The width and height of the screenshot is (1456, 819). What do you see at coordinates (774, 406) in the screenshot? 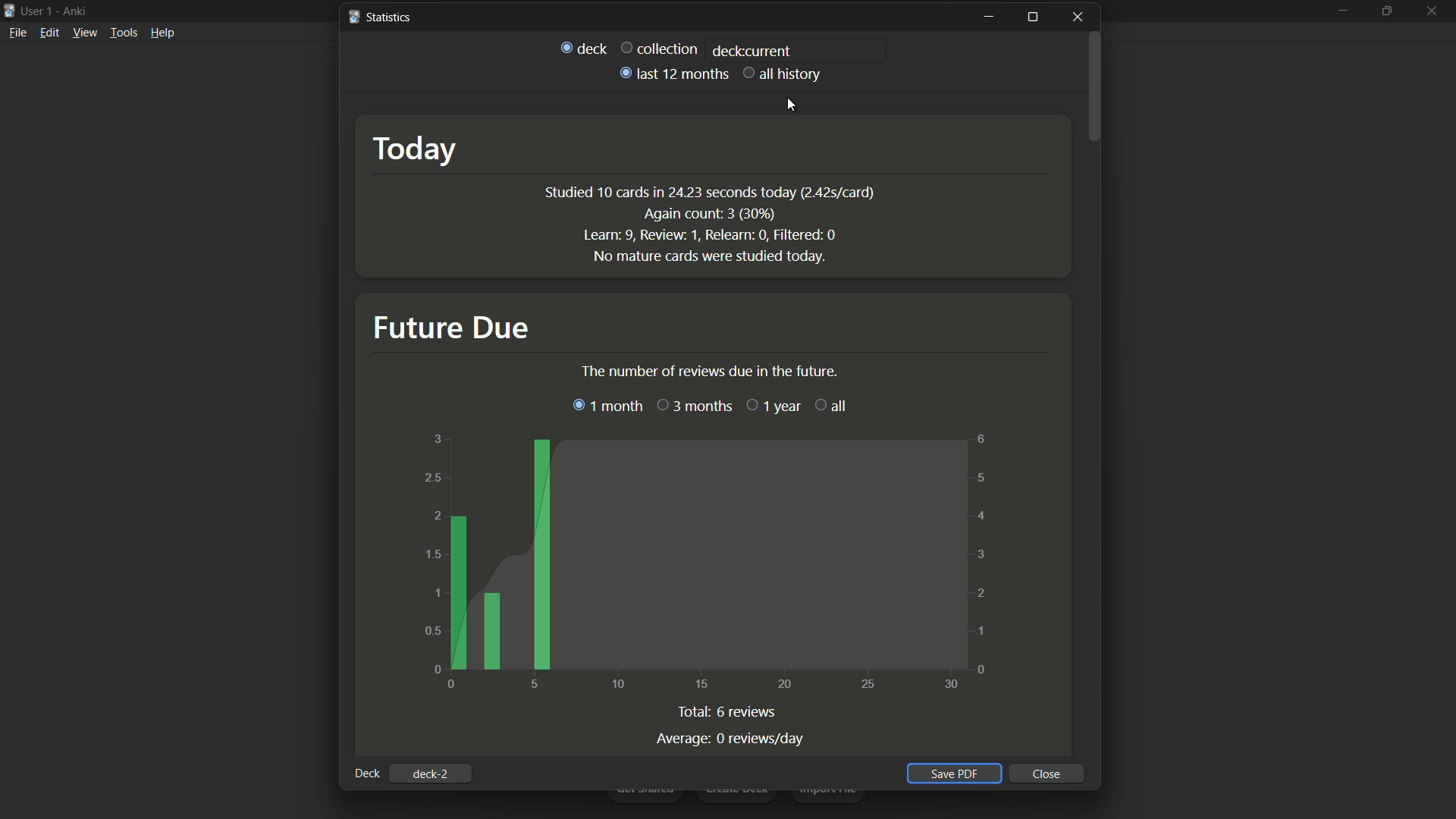
I see `1 year` at bounding box center [774, 406].